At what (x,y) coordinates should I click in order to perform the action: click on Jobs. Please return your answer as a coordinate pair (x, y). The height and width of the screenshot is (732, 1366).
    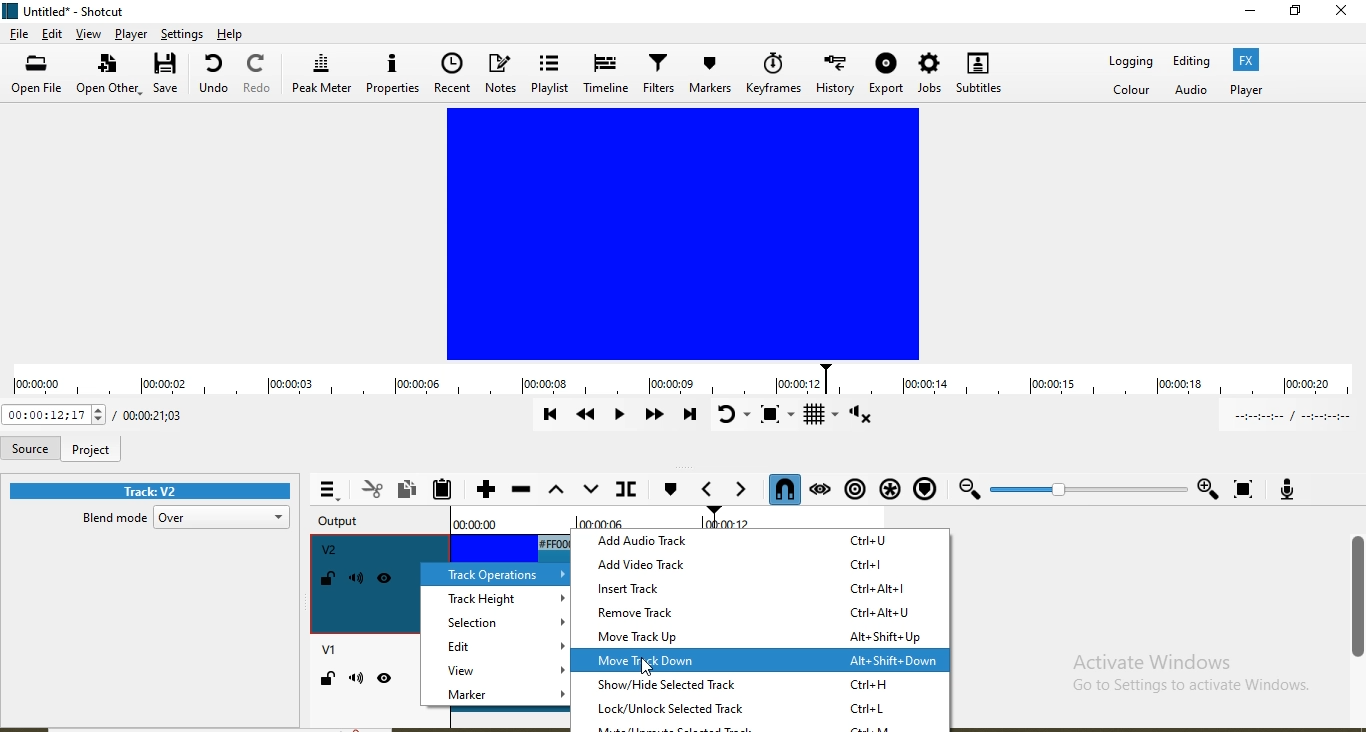
    Looking at the image, I should click on (929, 76).